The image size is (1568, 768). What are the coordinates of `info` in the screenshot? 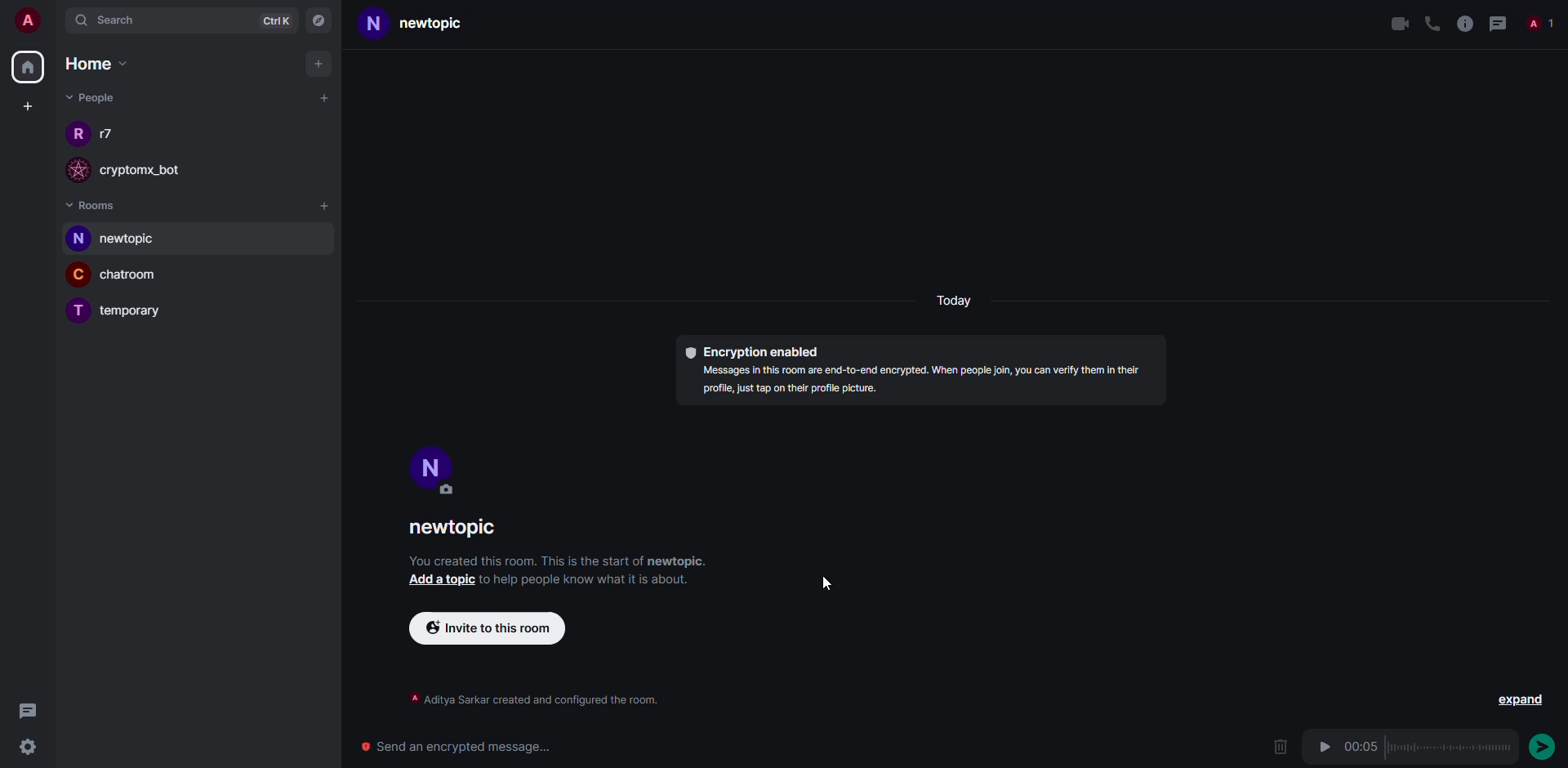 It's located at (590, 583).